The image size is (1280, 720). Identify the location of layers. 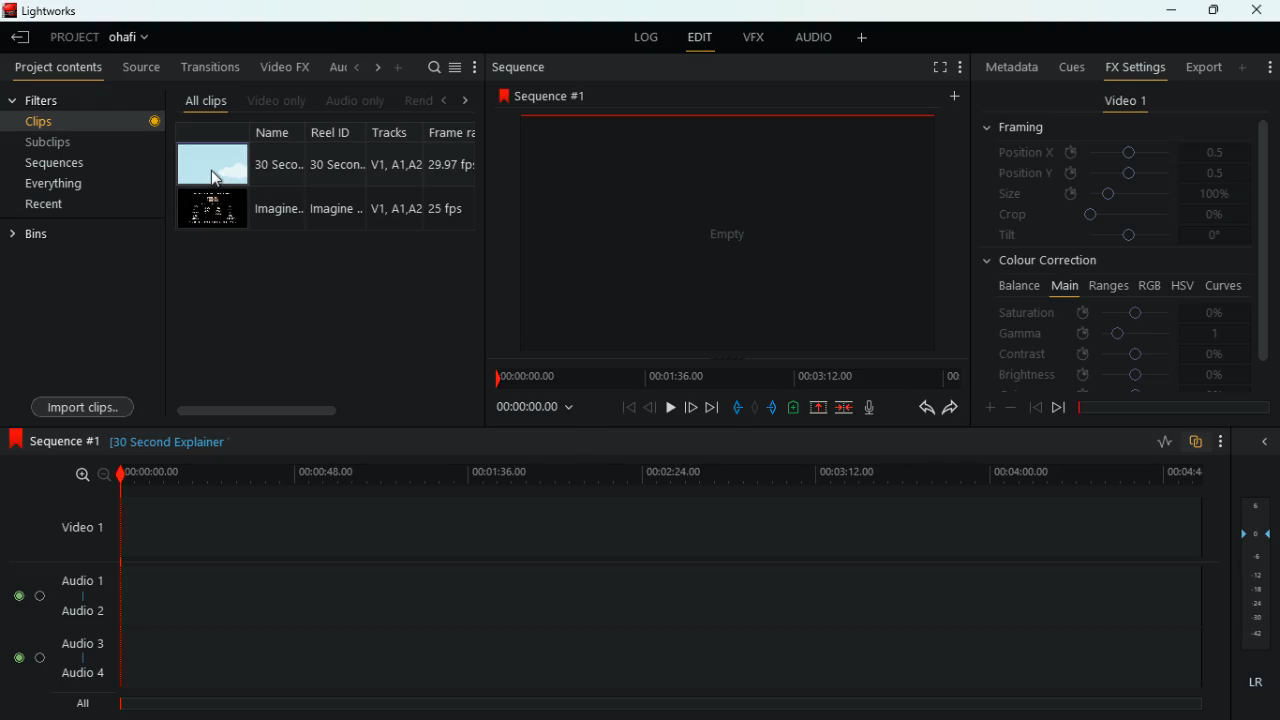
(1253, 570).